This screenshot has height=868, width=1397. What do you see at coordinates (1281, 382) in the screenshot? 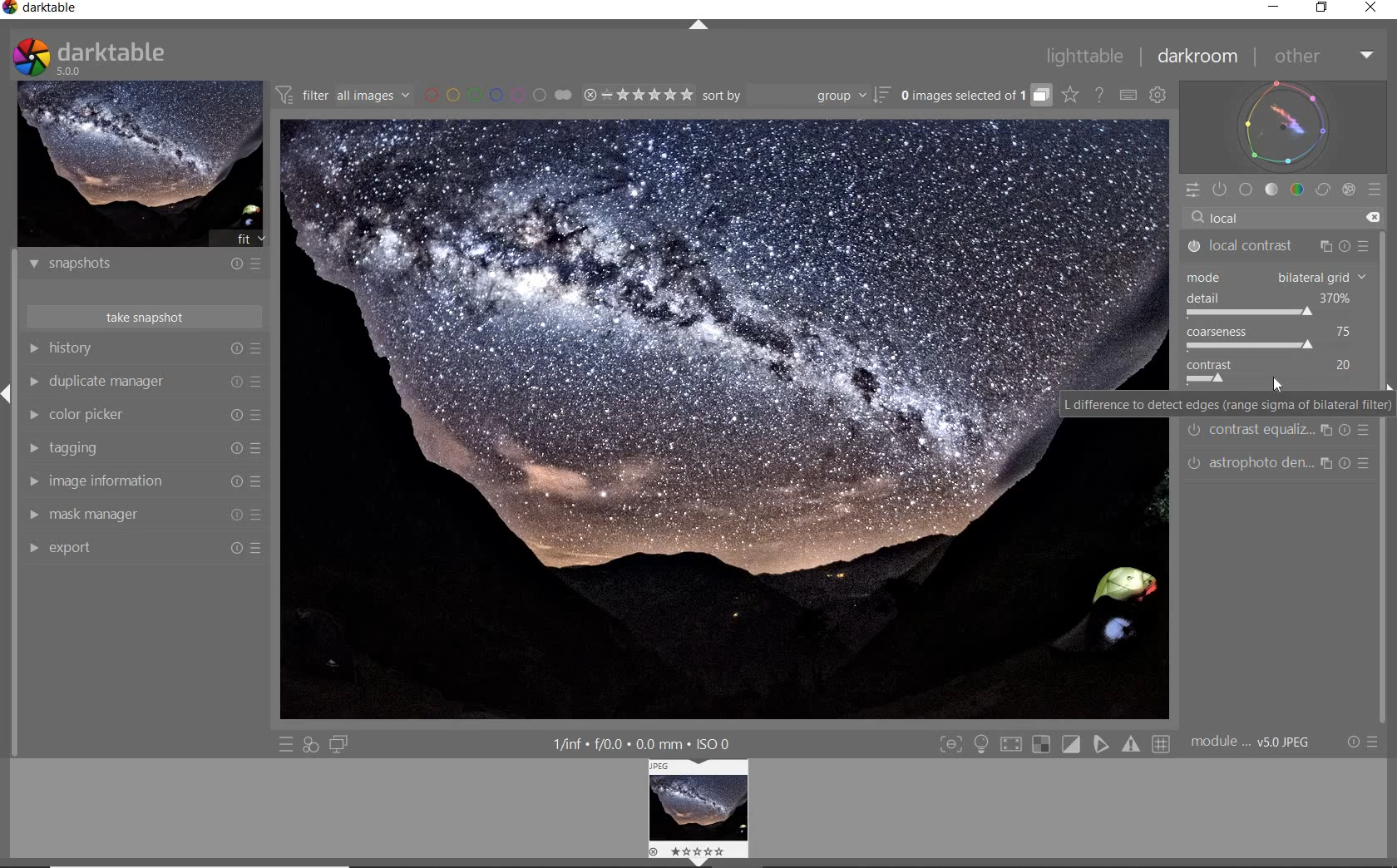
I see `cursor` at bounding box center [1281, 382].